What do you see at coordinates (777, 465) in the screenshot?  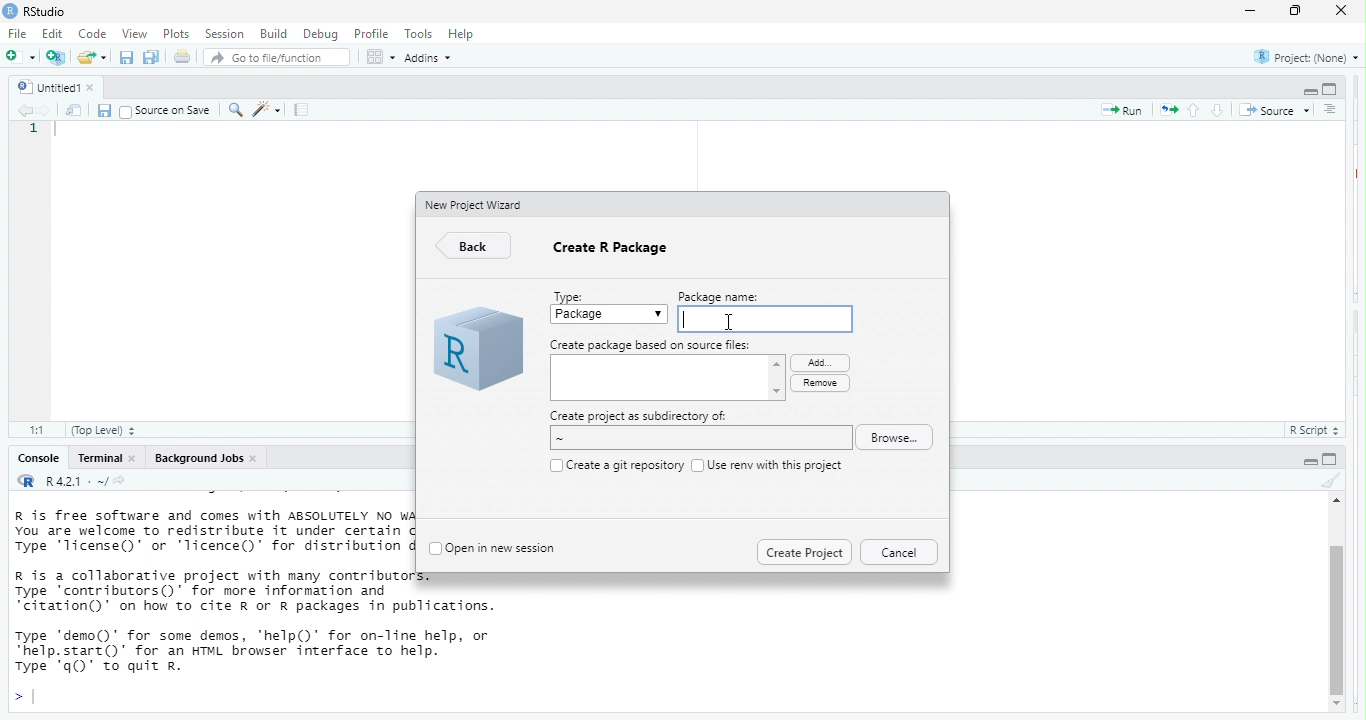 I see `Use renv with this project` at bounding box center [777, 465].